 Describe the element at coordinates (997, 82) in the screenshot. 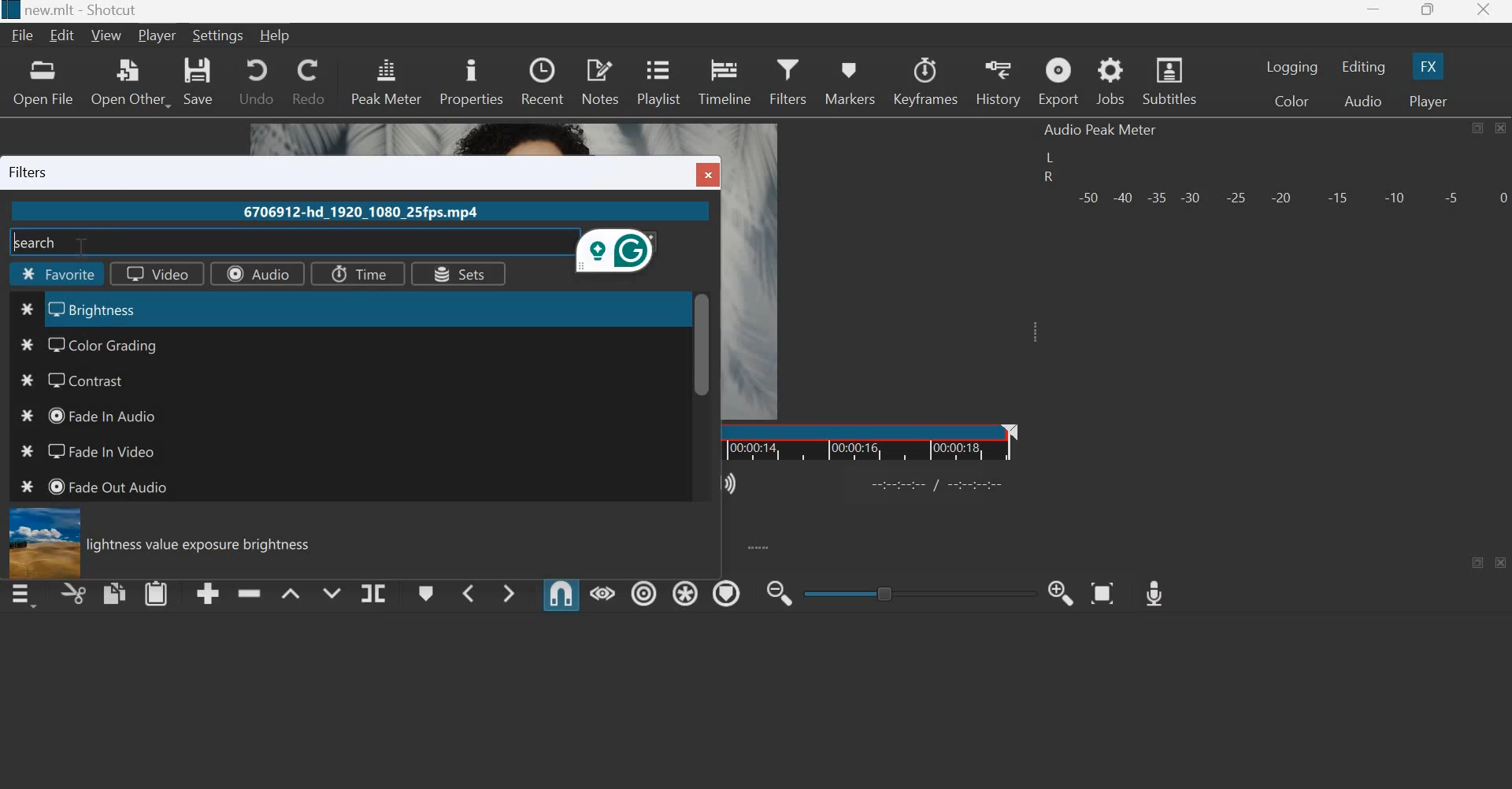

I see `history` at that location.